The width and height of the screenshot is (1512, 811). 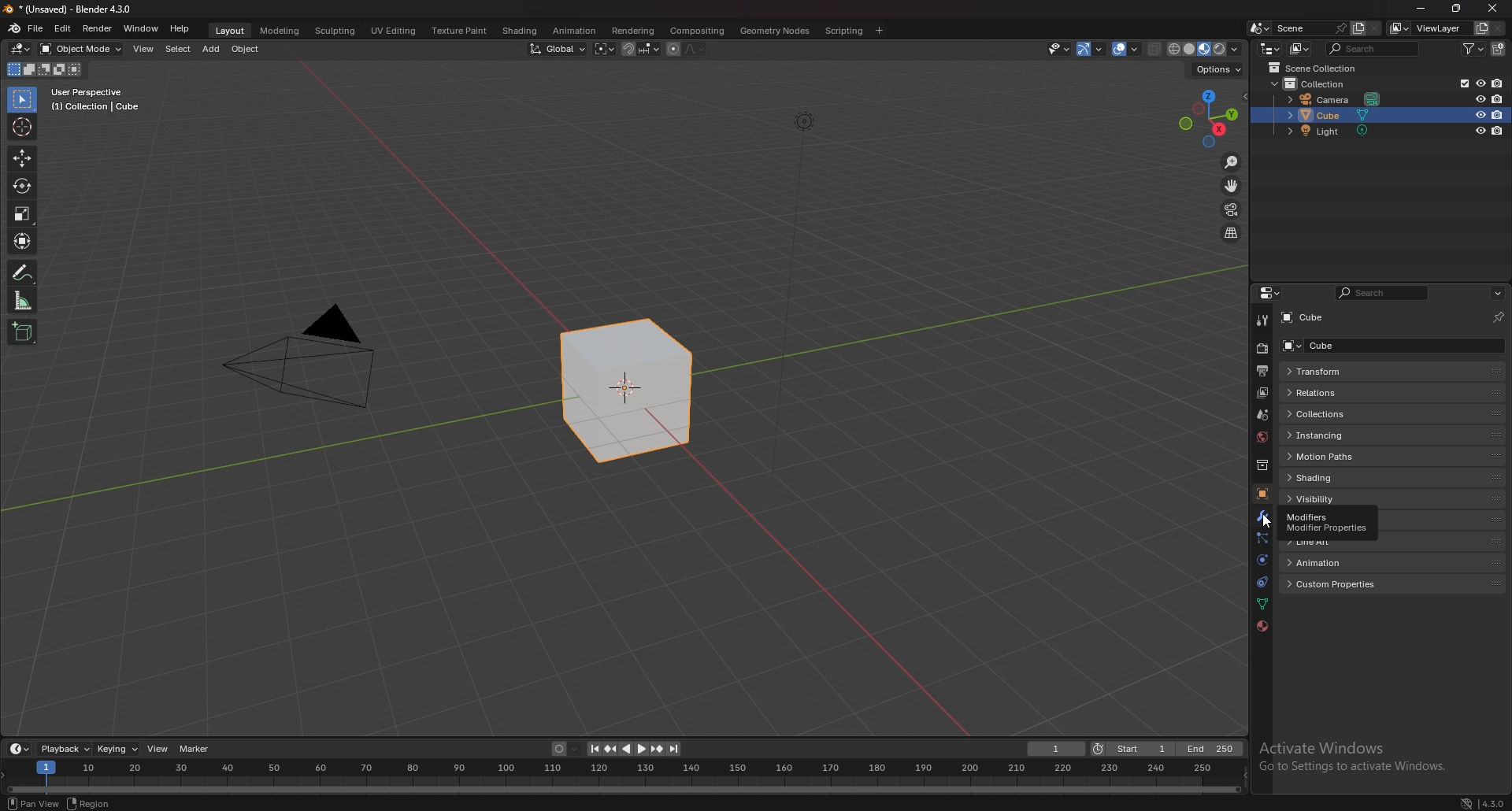 I want to click on end, so click(x=1212, y=748).